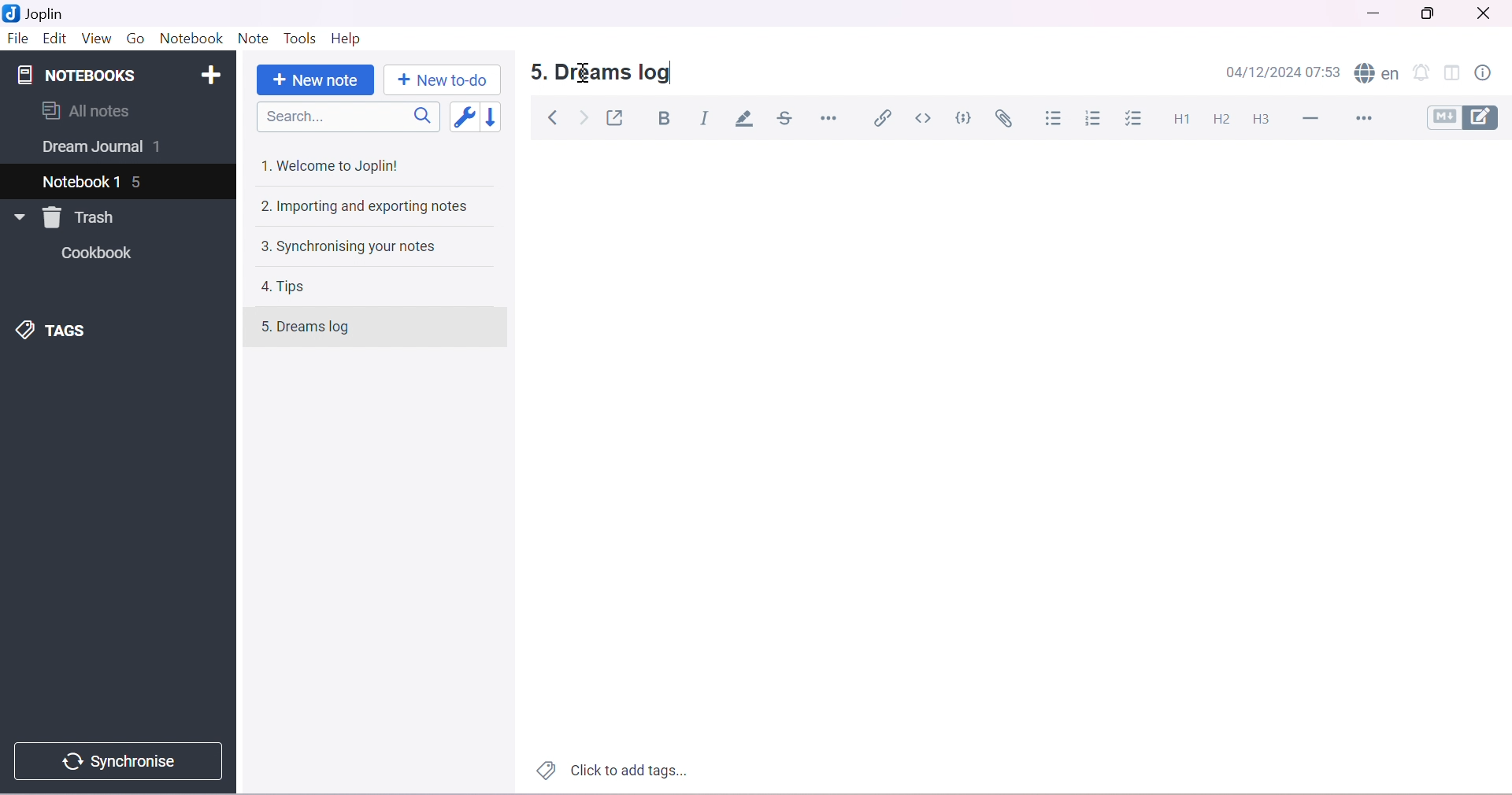 The width and height of the screenshot is (1512, 795). I want to click on 4. Tips, so click(290, 287).